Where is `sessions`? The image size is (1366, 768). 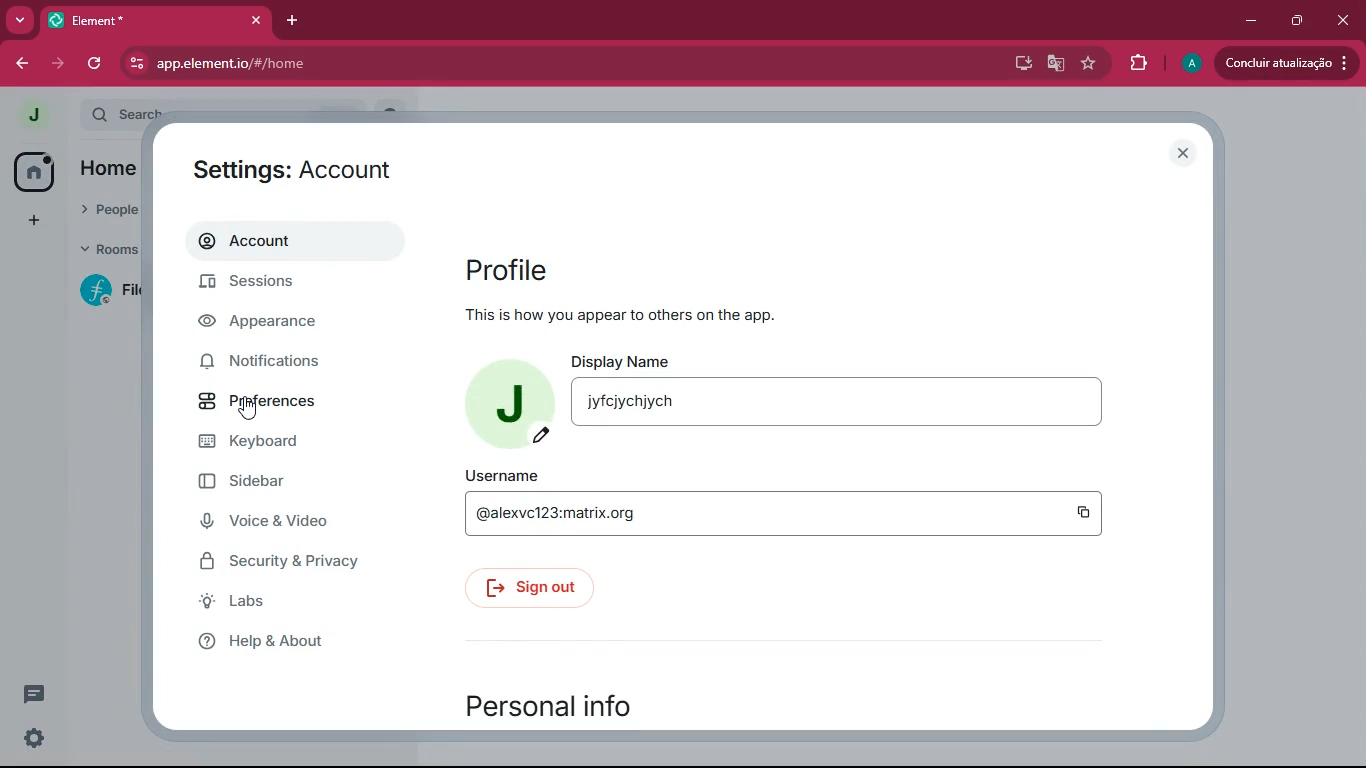 sessions is located at coordinates (273, 284).